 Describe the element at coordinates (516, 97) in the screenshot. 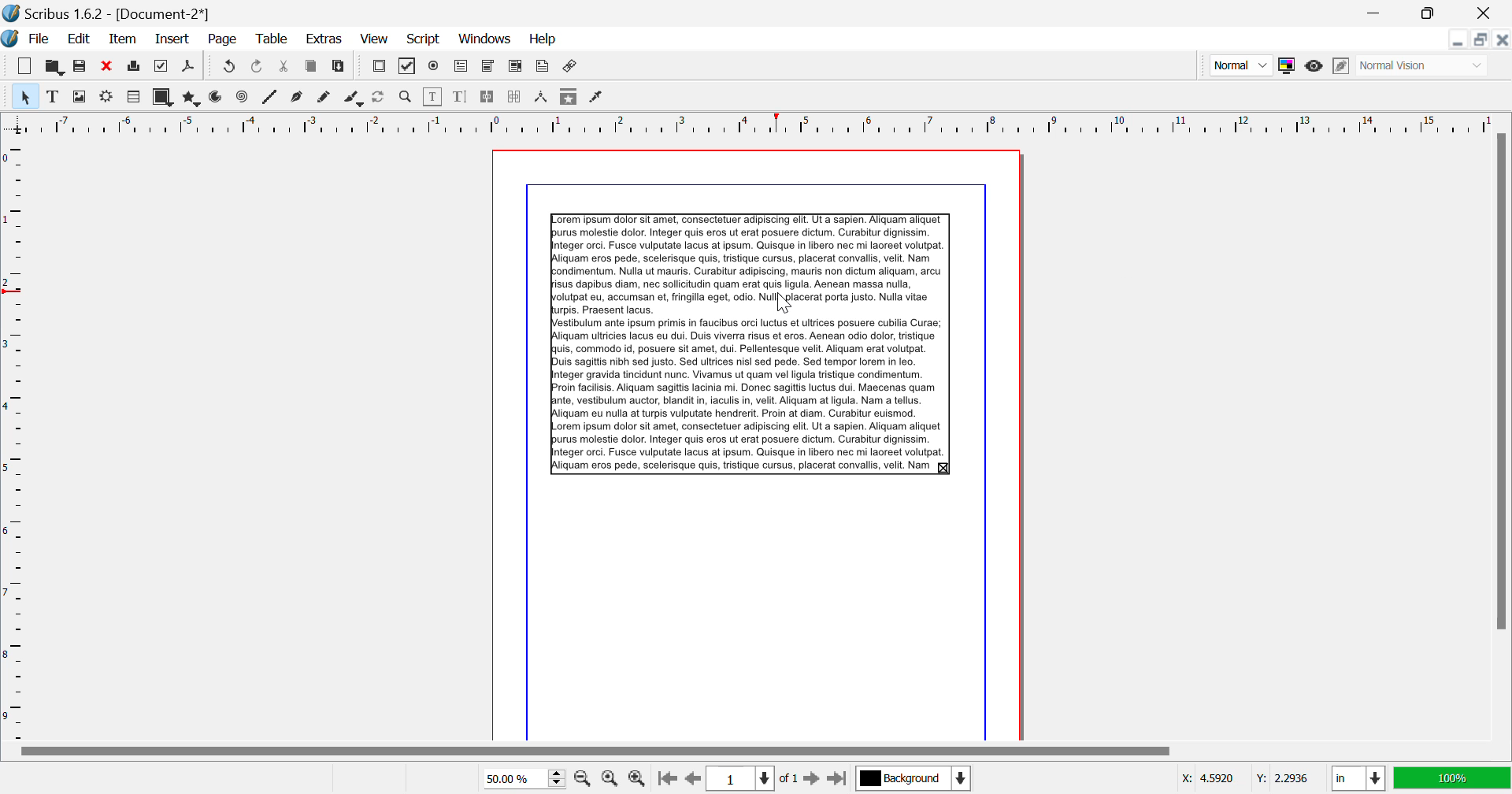

I see `Delink Frames` at that location.